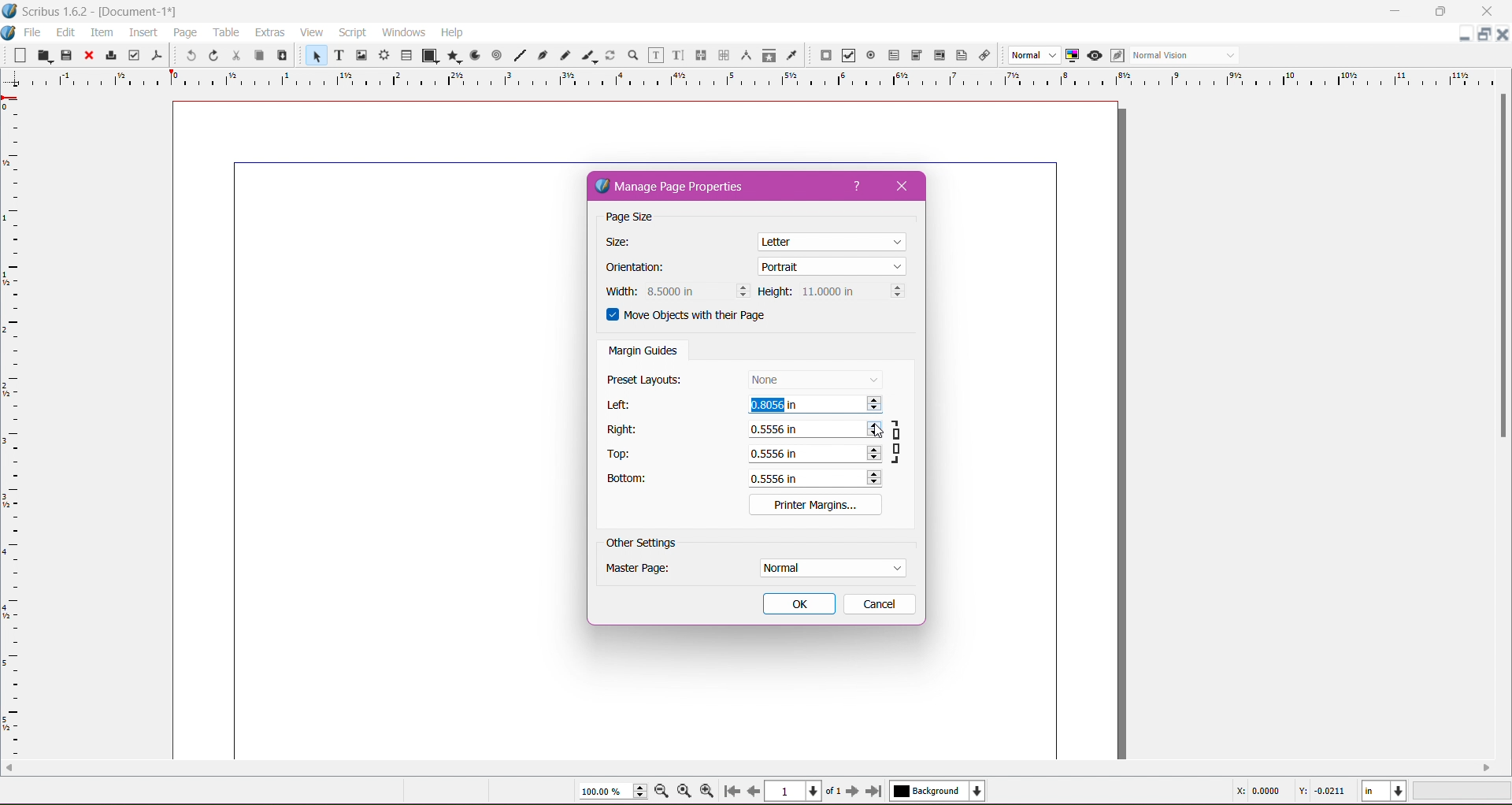  I want to click on Select the visual appearance of the display, so click(1188, 56).